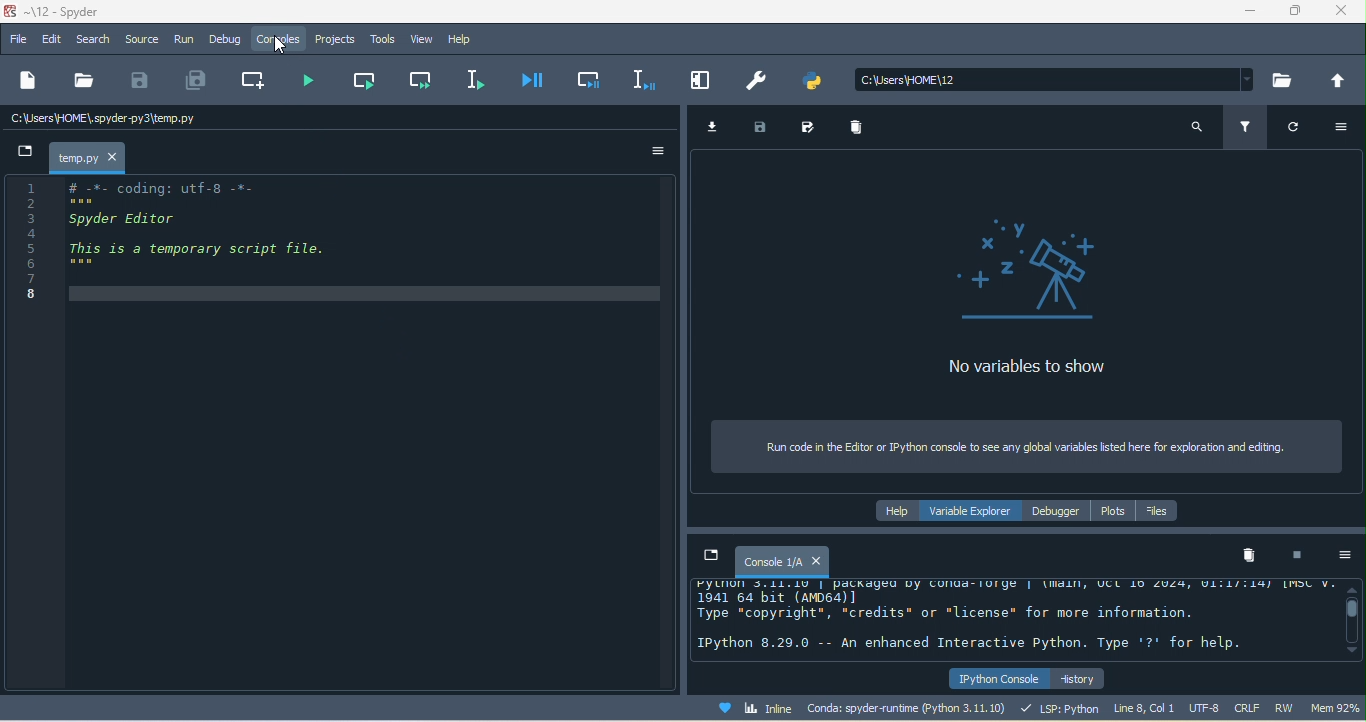 The width and height of the screenshot is (1366, 722). Describe the element at coordinates (996, 676) in the screenshot. I see `ipython console` at that location.